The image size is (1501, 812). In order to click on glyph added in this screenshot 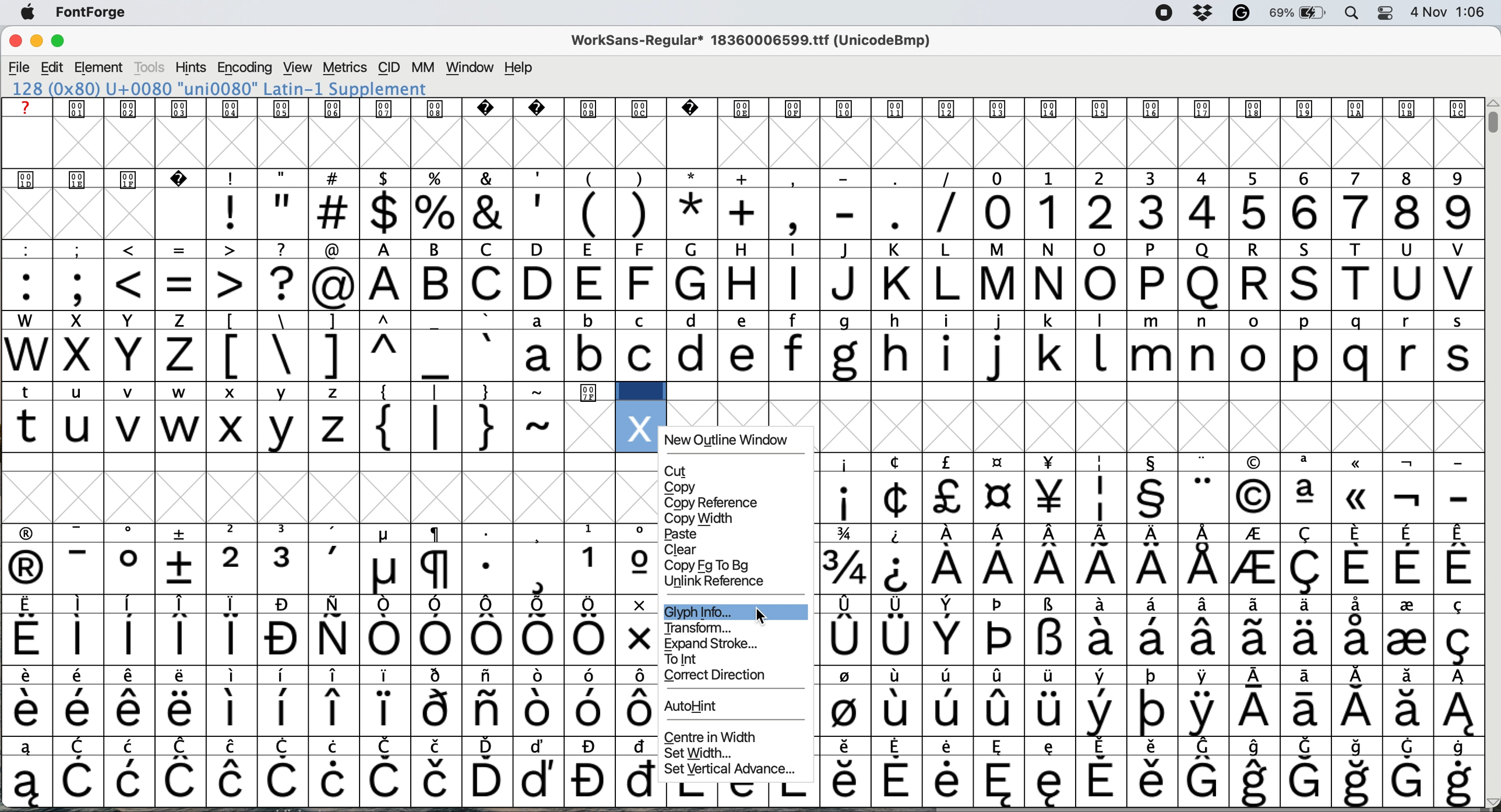, I will do `click(640, 426)`.